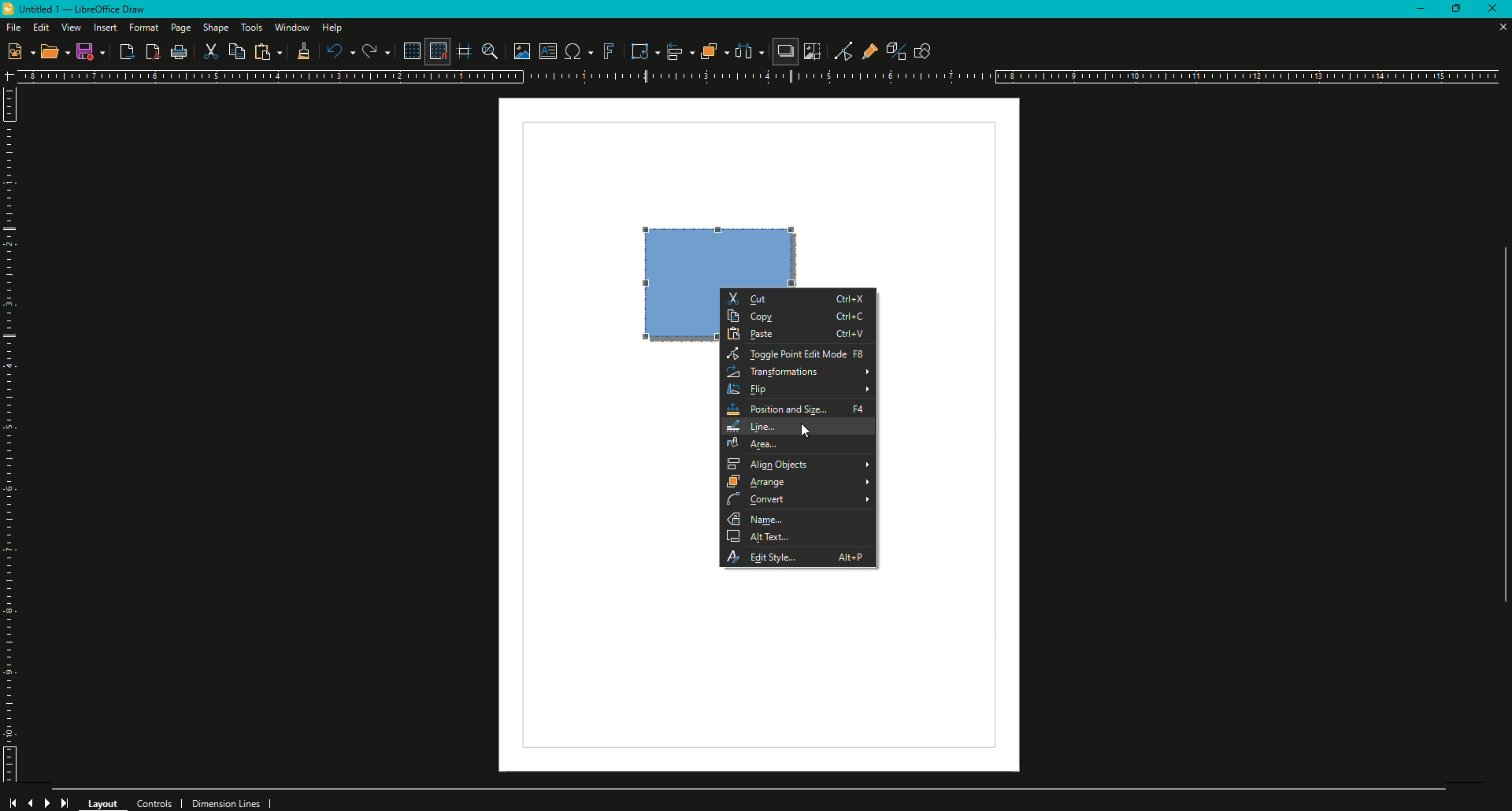 The width and height of the screenshot is (1512, 811). Describe the element at coordinates (801, 371) in the screenshot. I see `Transformations` at that location.